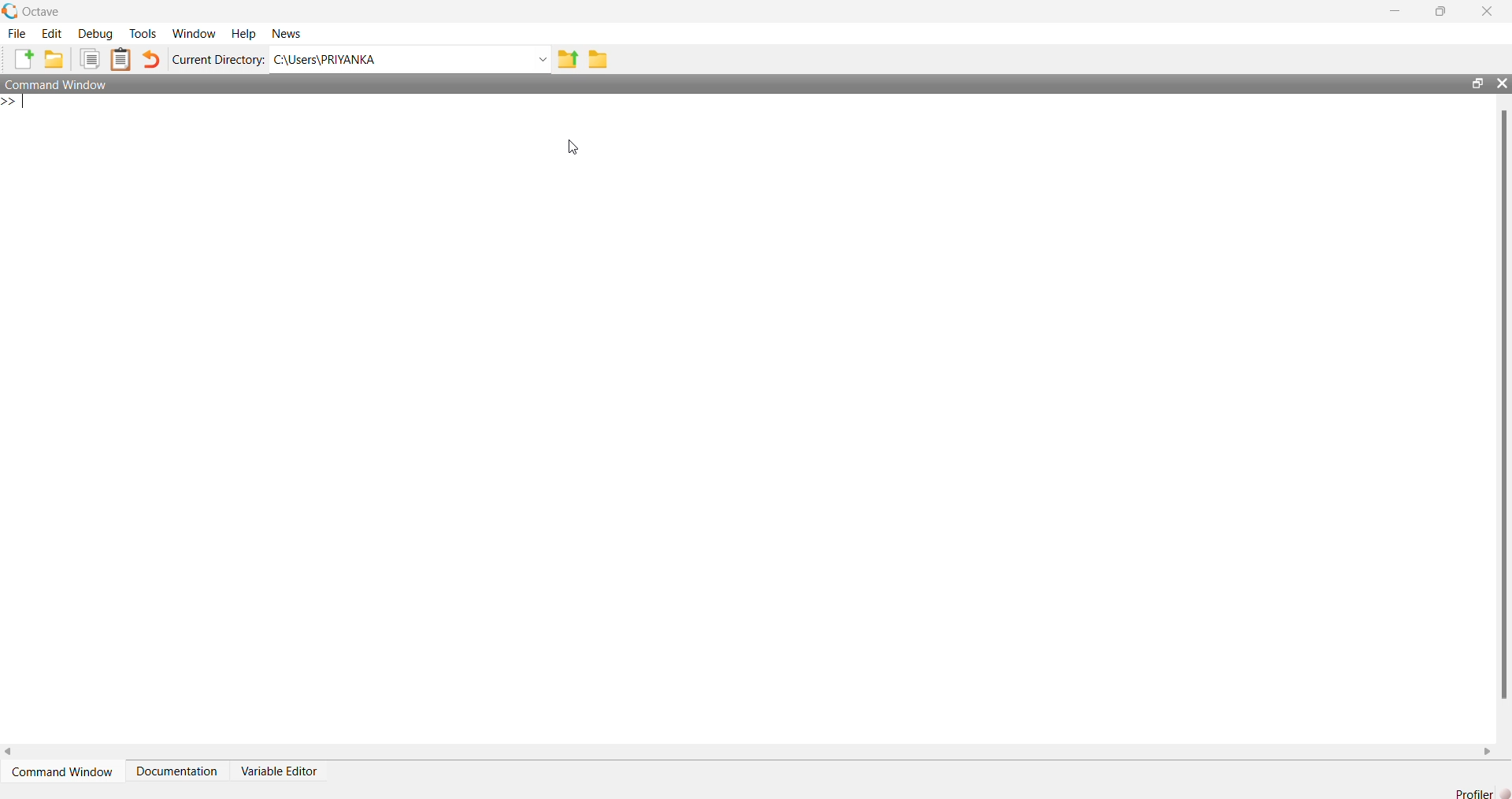  Describe the element at coordinates (54, 32) in the screenshot. I see `Edit` at that location.